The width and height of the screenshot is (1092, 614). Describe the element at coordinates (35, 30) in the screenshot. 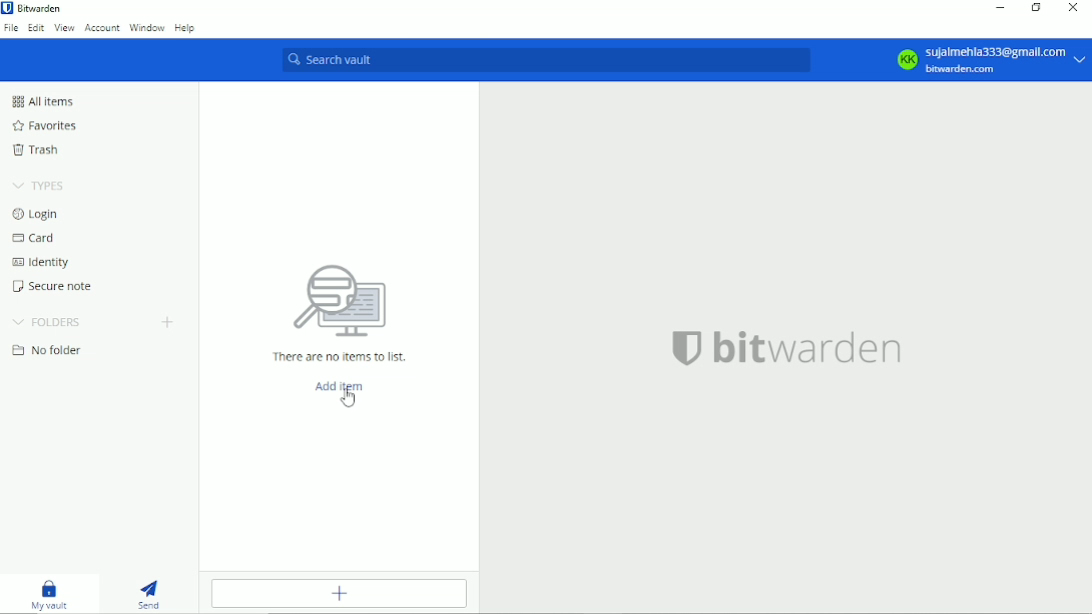

I see `Edit` at that location.